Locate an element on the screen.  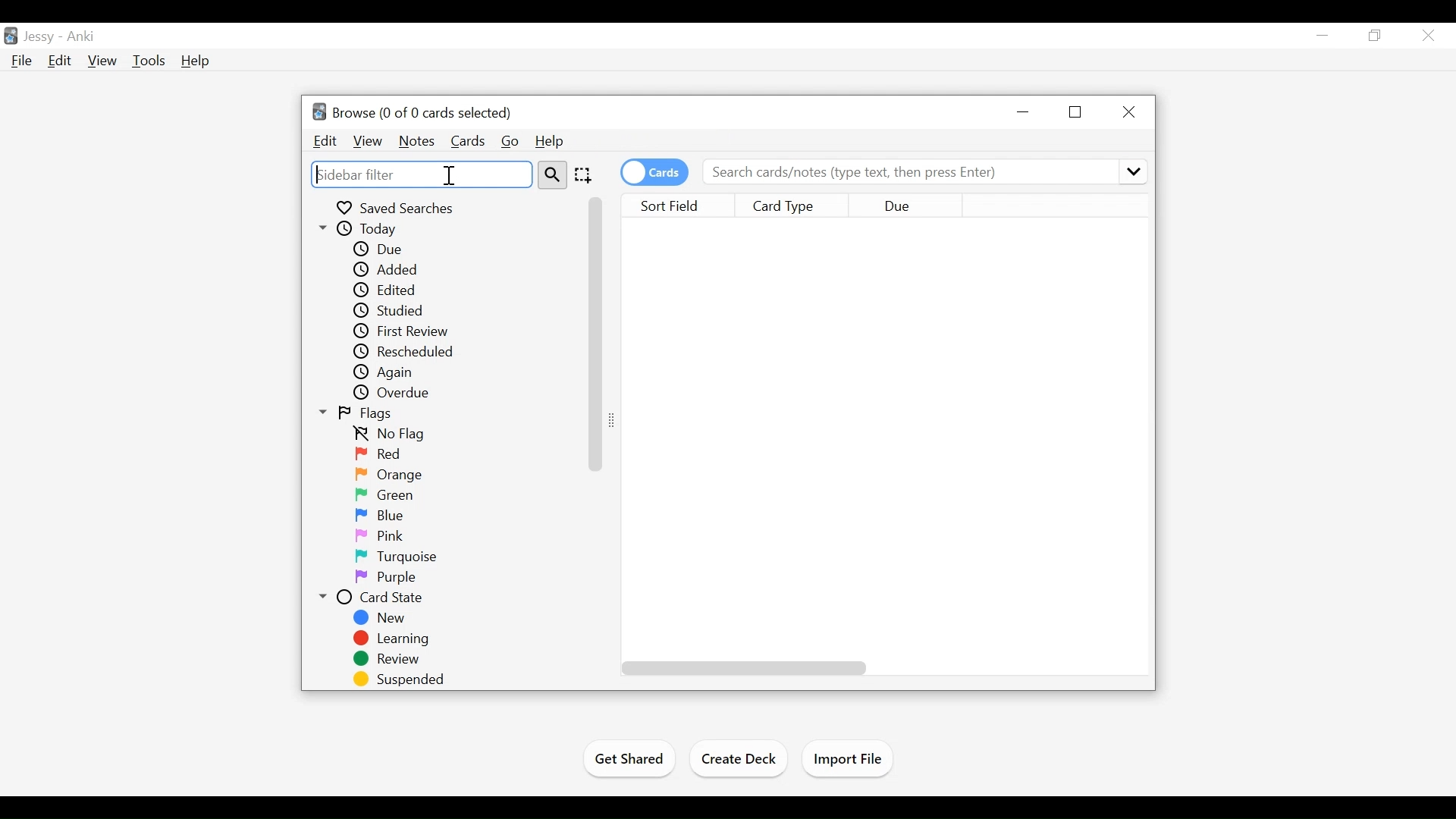
Close is located at coordinates (1130, 111).